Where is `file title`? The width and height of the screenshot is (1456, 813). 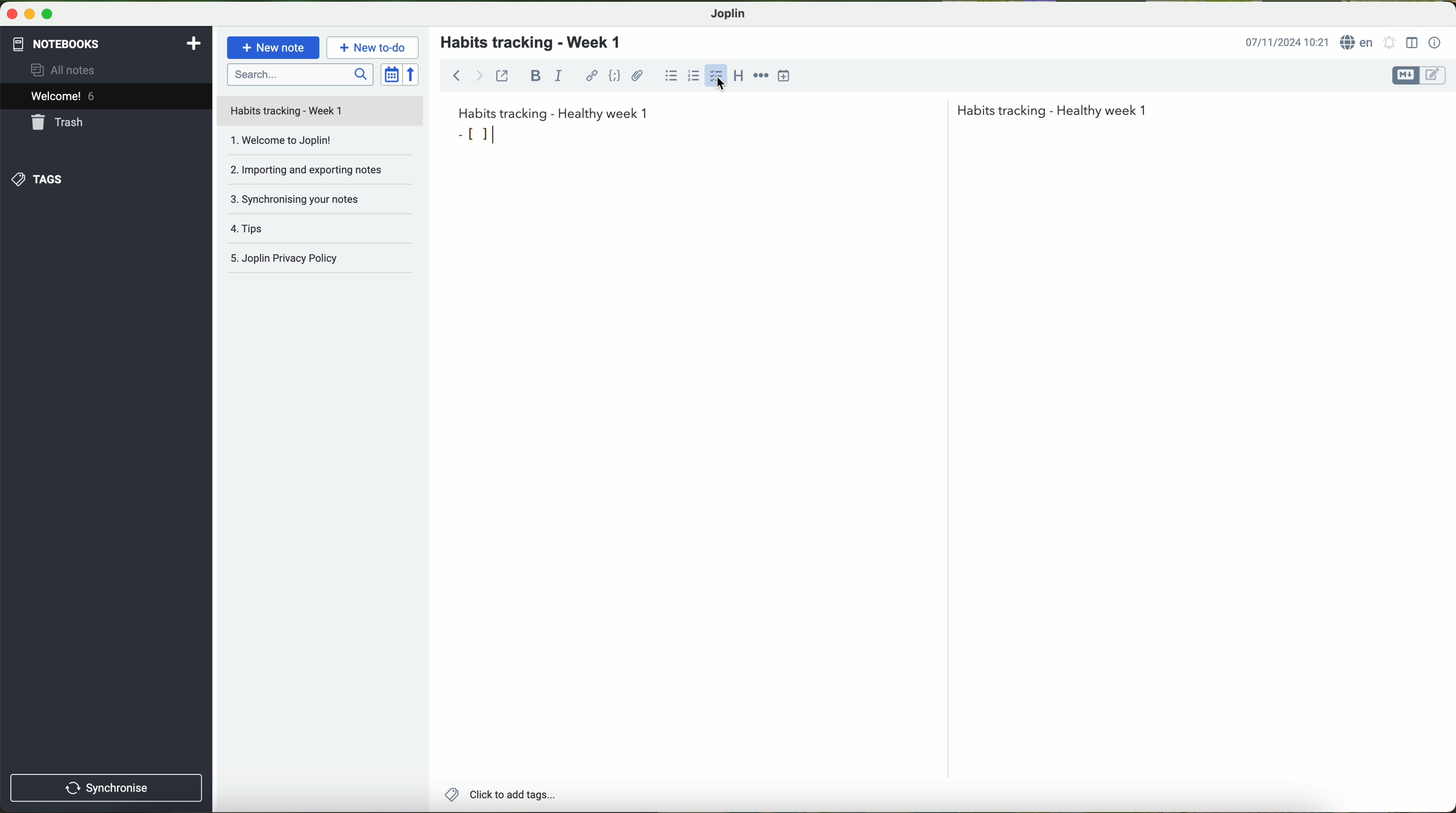 file title is located at coordinates (320, 111).